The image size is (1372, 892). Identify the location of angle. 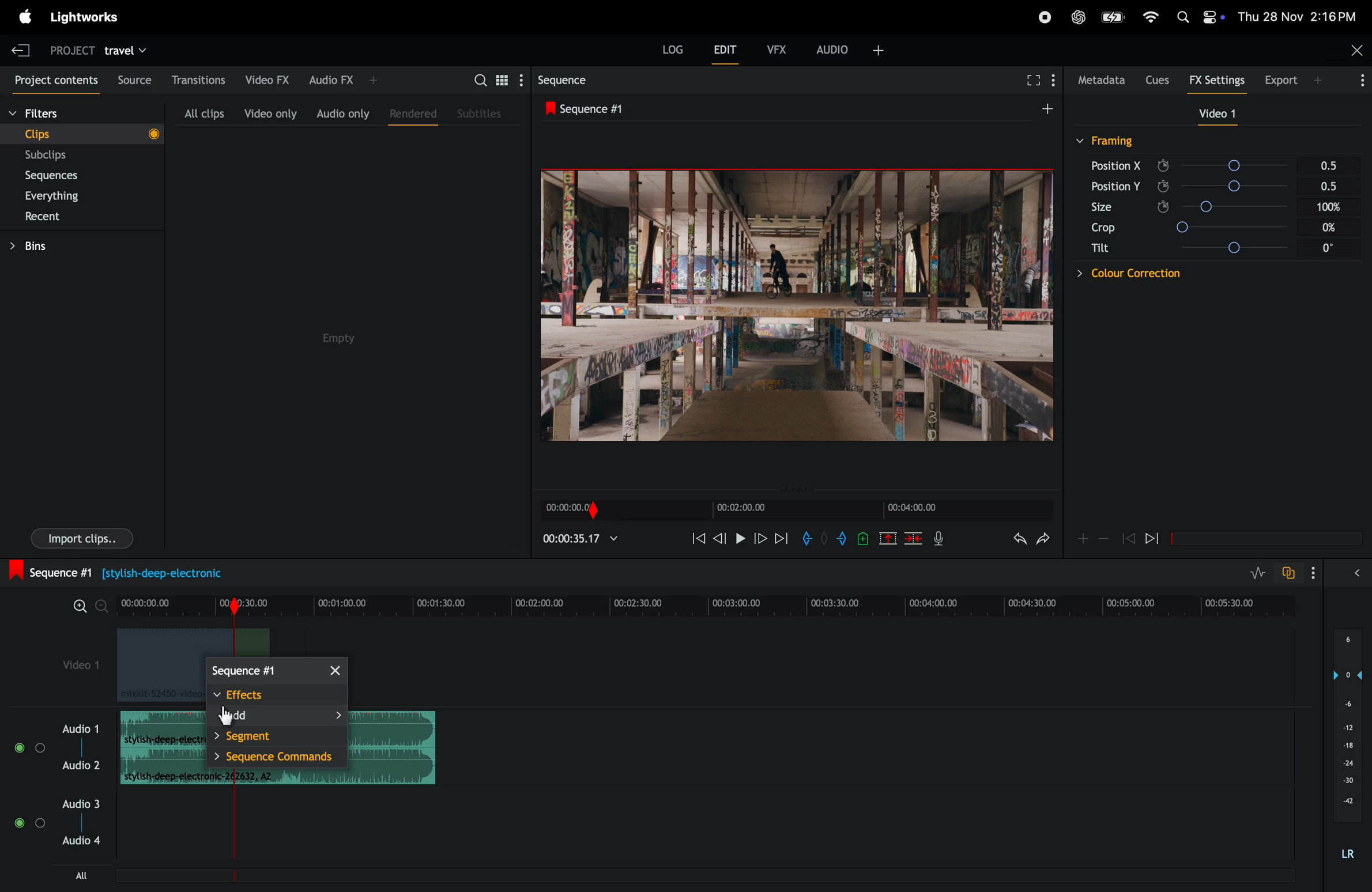
(1257, 227).